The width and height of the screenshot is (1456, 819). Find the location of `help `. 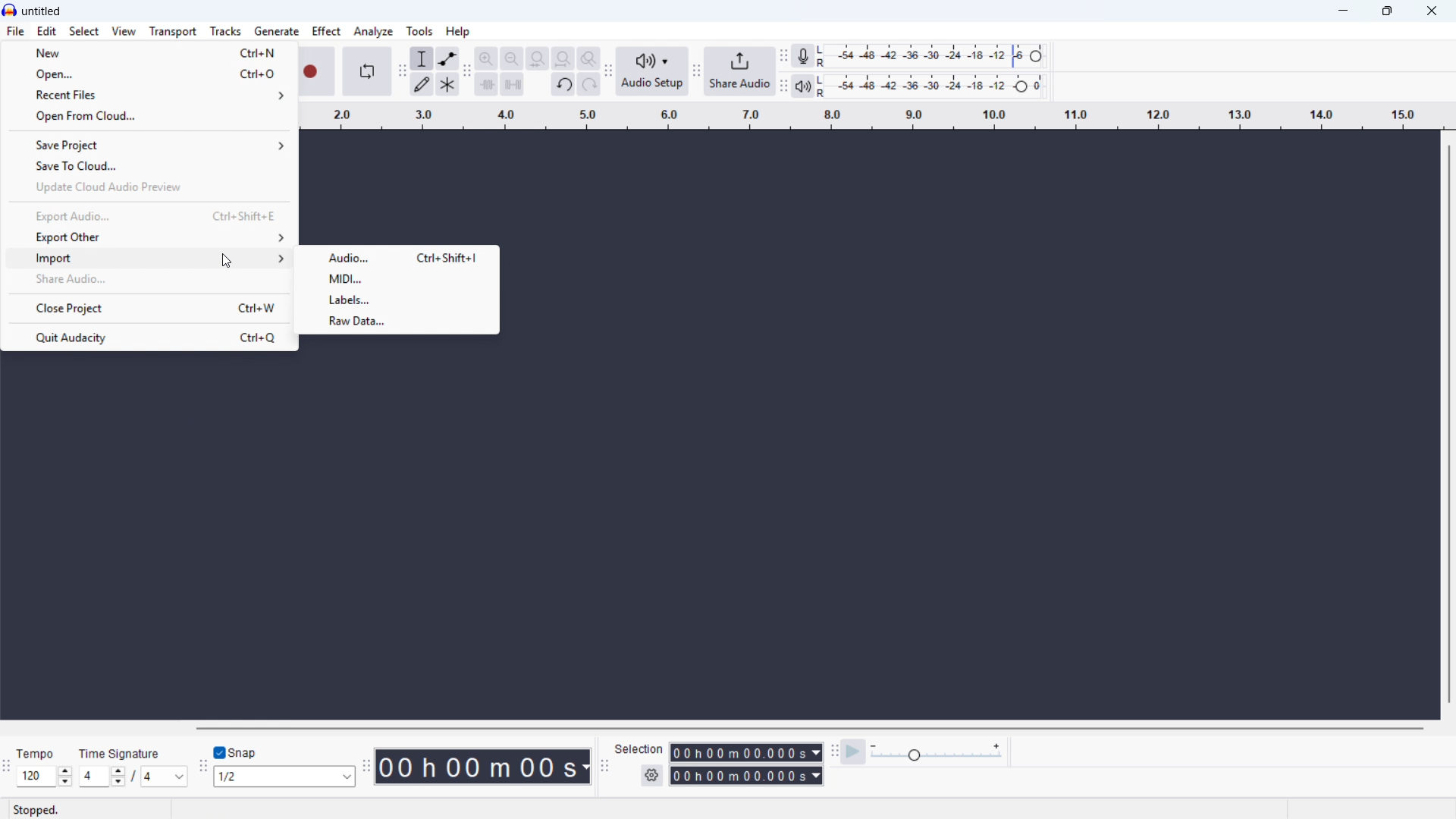

help  is located at coordinates (457, 32).